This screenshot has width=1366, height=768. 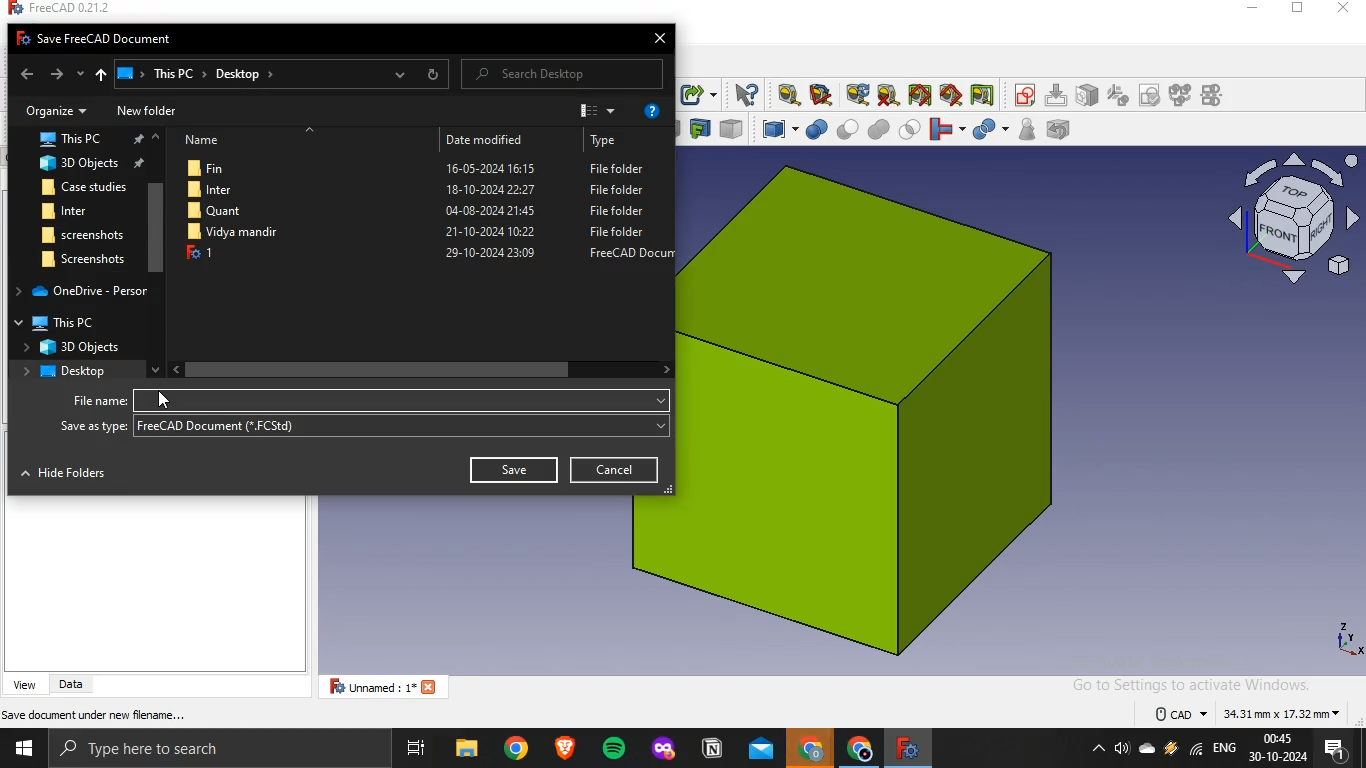 I want to click on clear all, so click(x=889, y=95).